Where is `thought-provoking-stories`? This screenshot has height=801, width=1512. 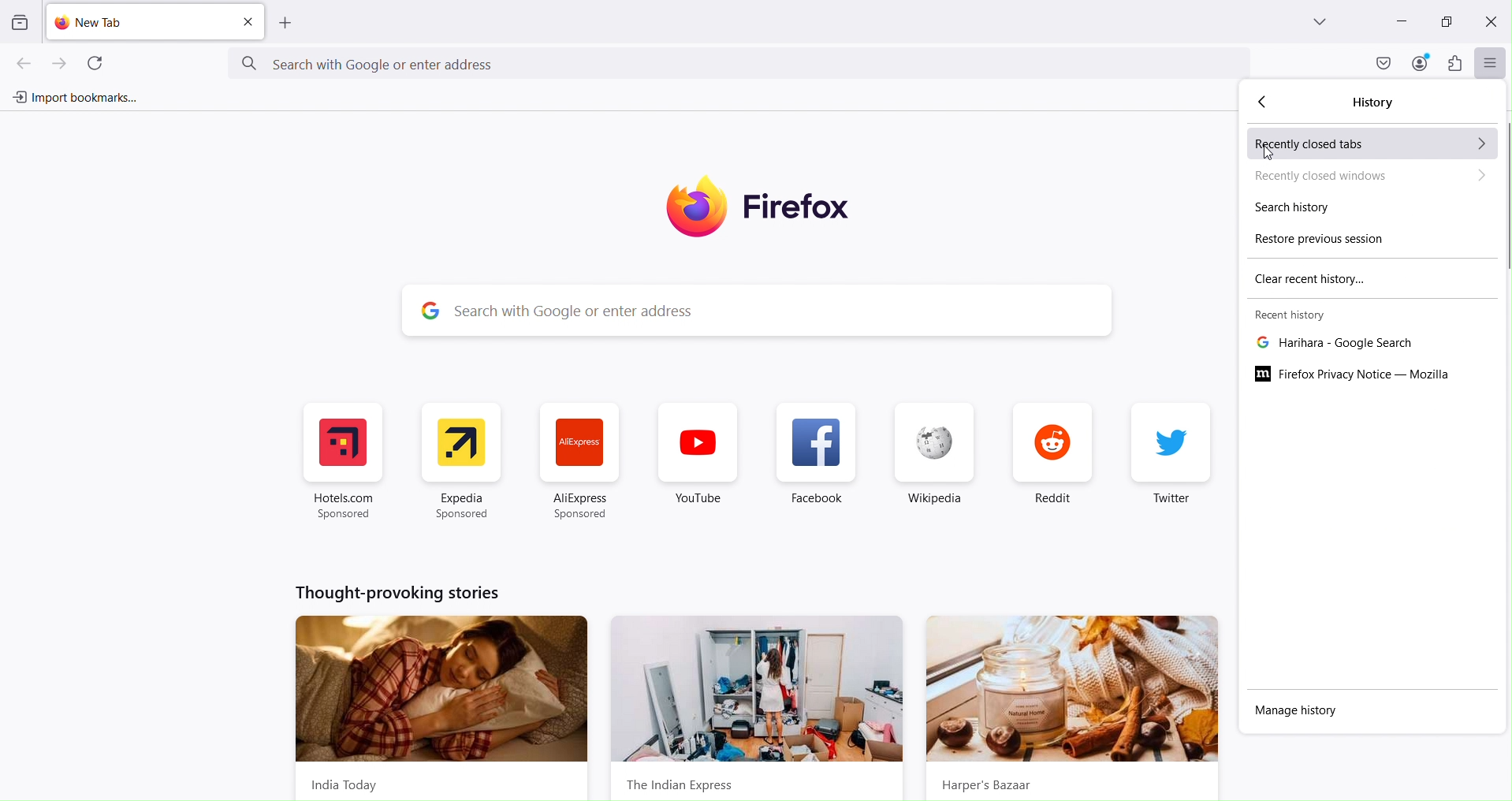
thought-provoking-stories is located at coordinates (400, 593).